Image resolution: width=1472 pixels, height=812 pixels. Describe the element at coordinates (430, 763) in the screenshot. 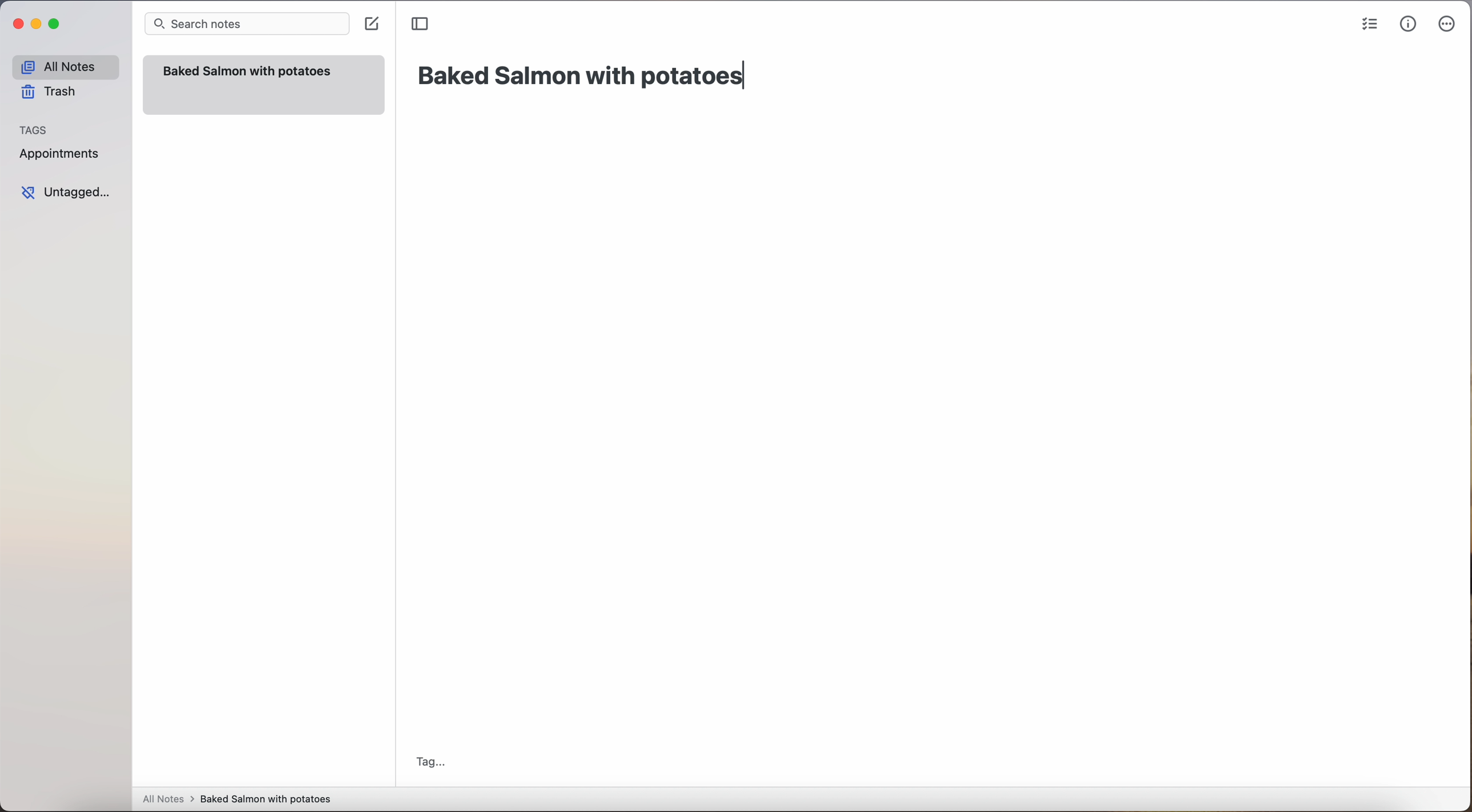

I see `tag` at that location.